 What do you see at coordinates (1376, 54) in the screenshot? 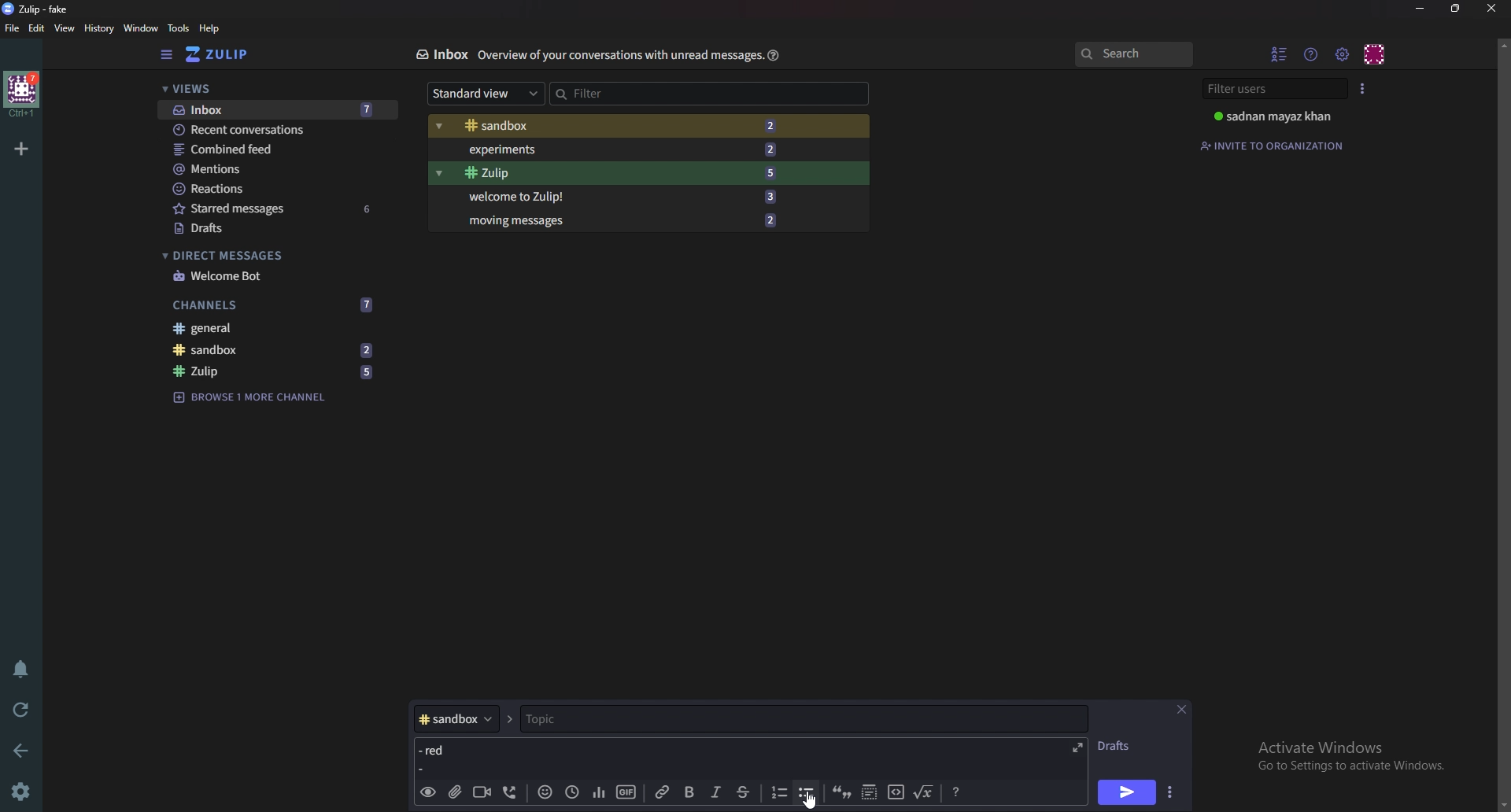
I see `personal menu` at bounding box center [1376, 54].